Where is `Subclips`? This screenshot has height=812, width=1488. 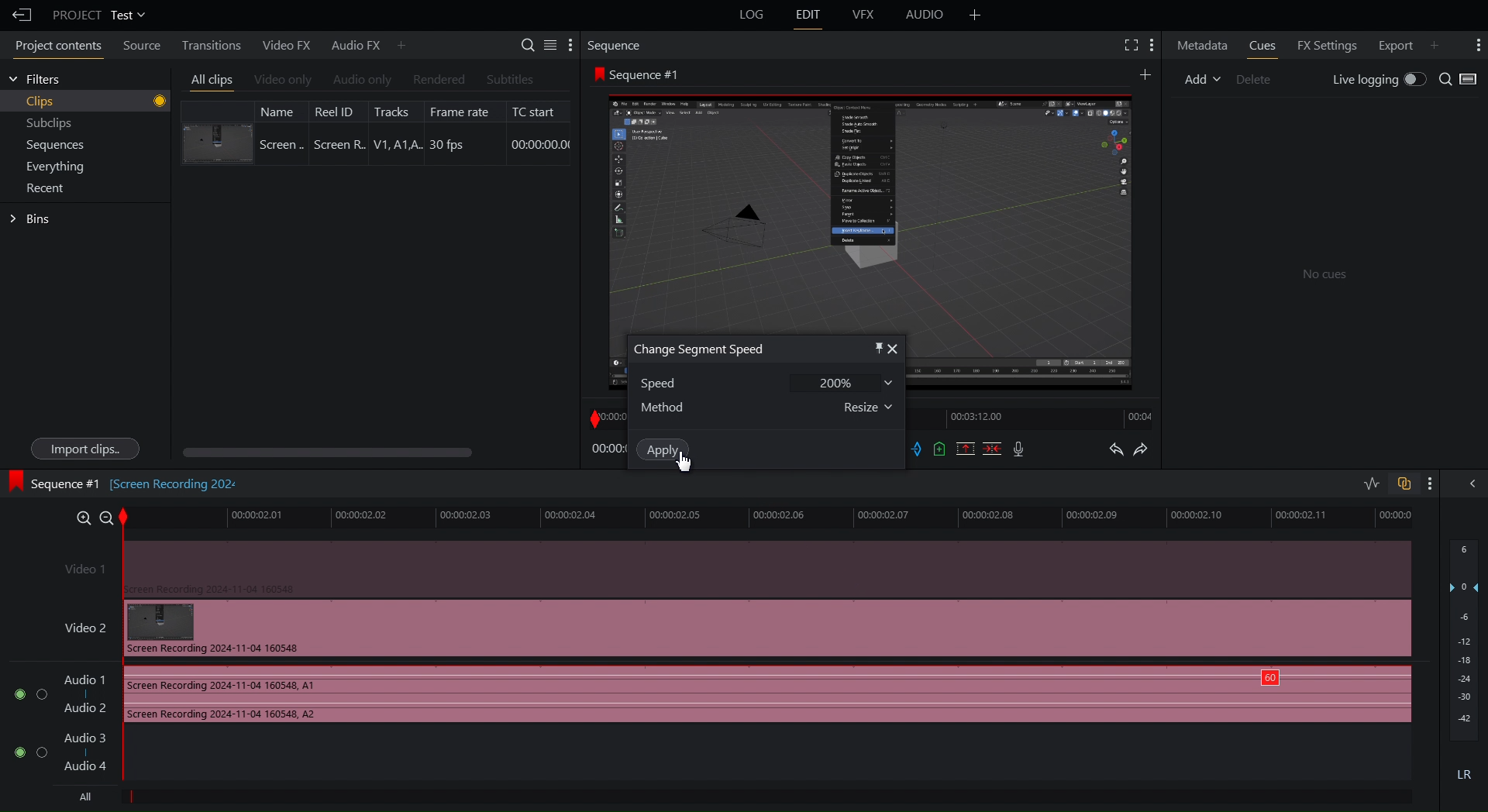
Subclips is located at coordinates (50, 126).